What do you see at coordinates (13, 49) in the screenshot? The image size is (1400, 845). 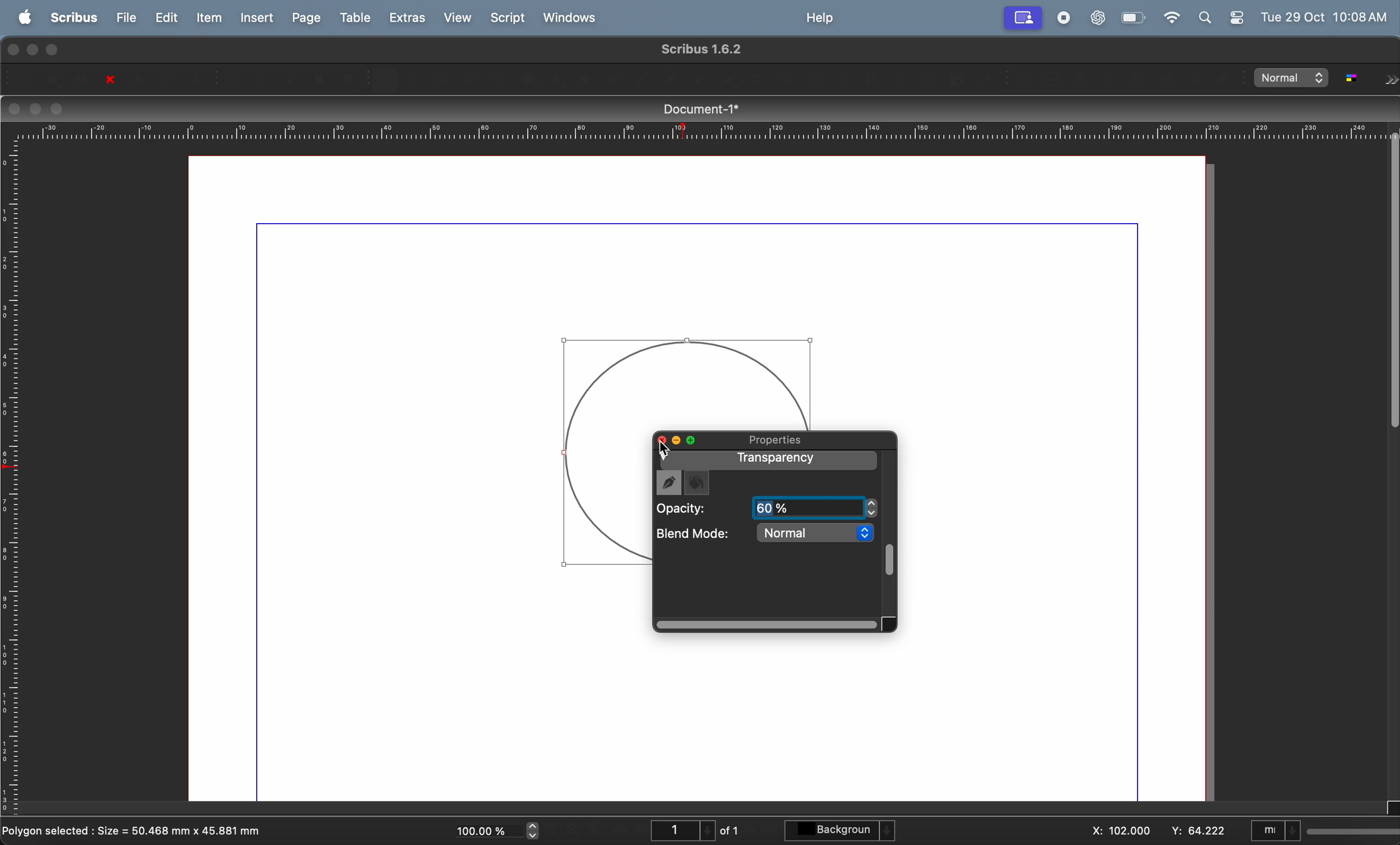 I see `closing window` at bounding box center [13, 49].